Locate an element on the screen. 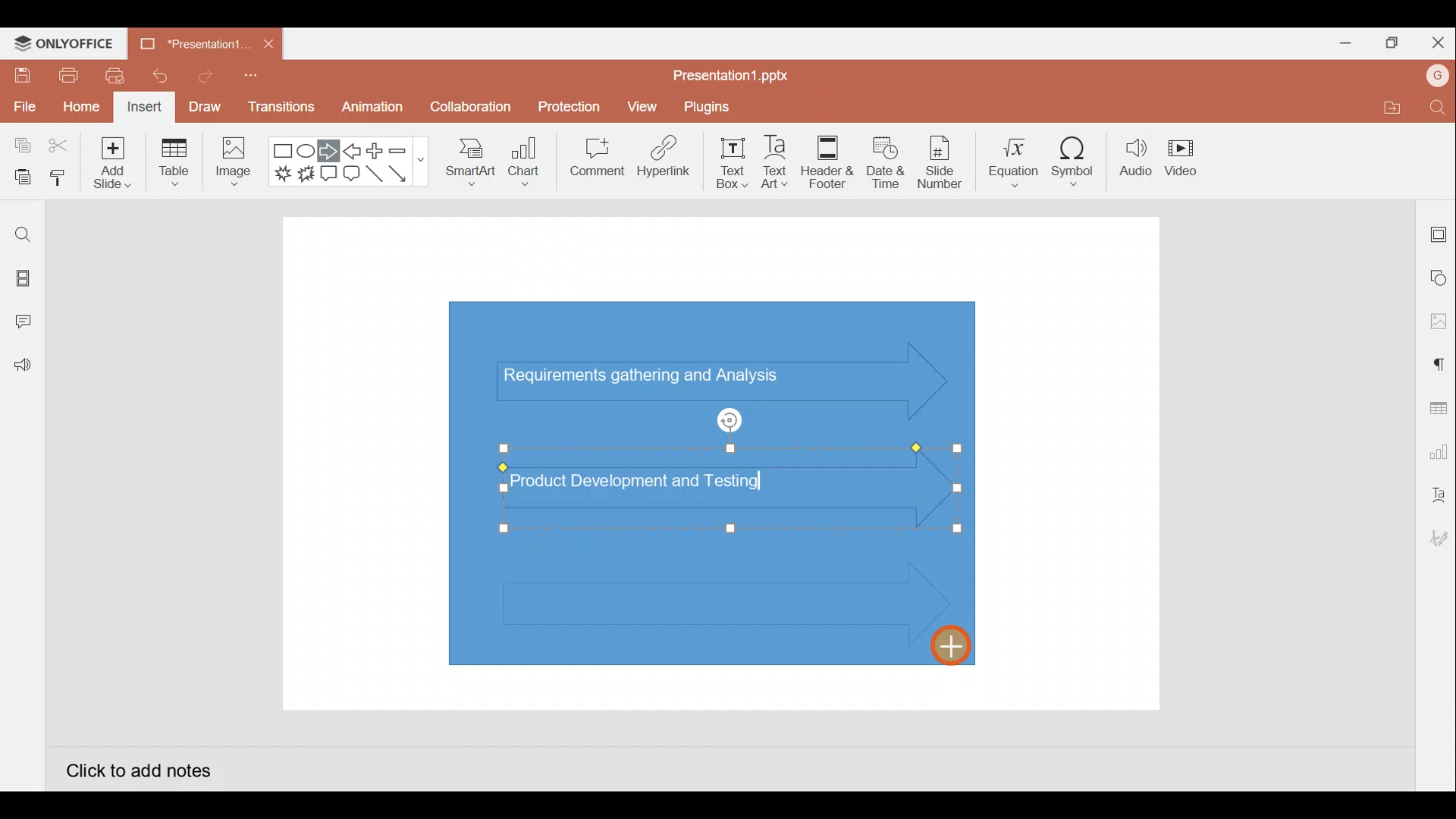 The width and height of the screenshot is (1456, 819). Explosion 1 is located at coordinates (283, 173).